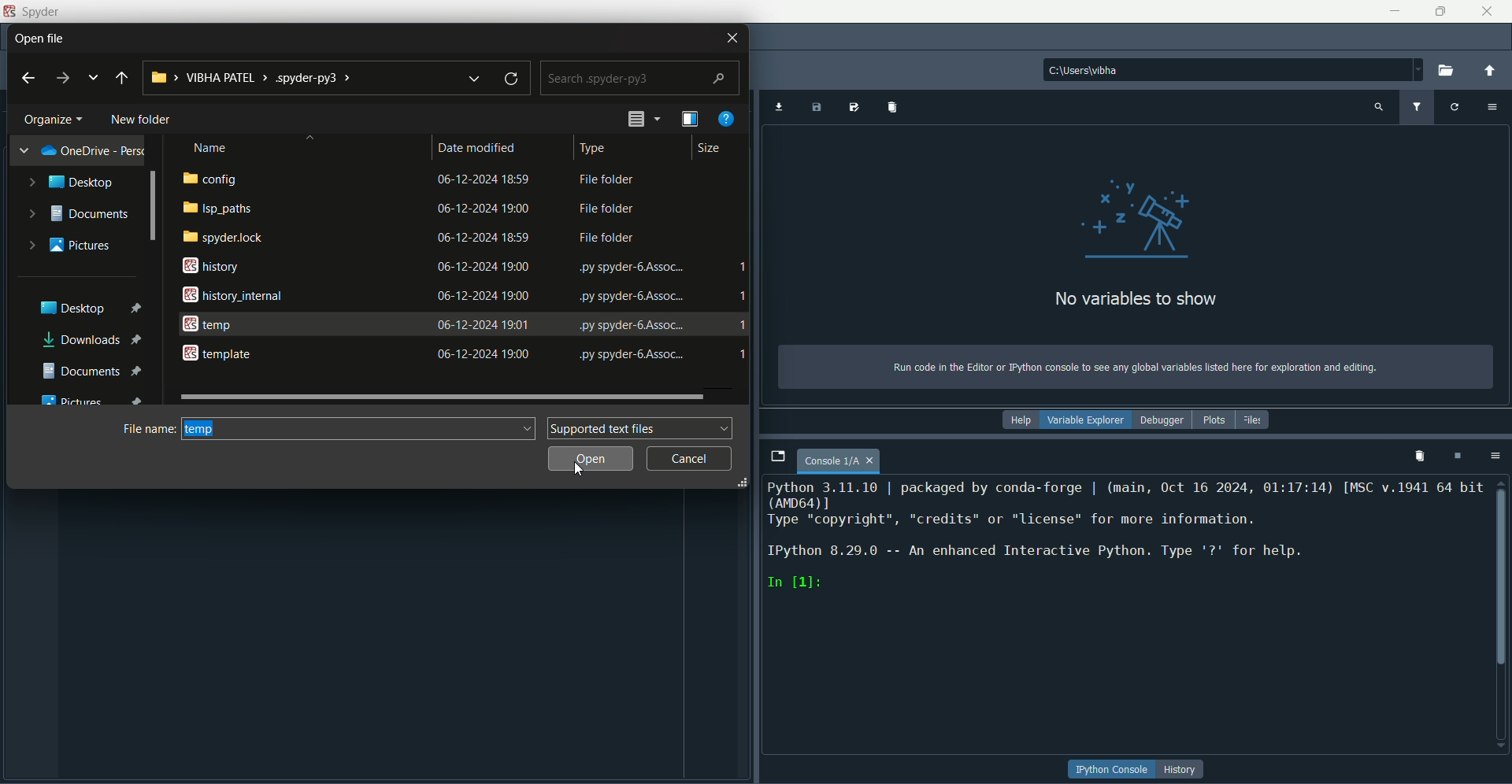 Image resolution: width=1512 pixels, height=784 pixels. What do you see at coordinates (484, 295) in the screenshot?
I see `date` at bounding box center [484, 295].